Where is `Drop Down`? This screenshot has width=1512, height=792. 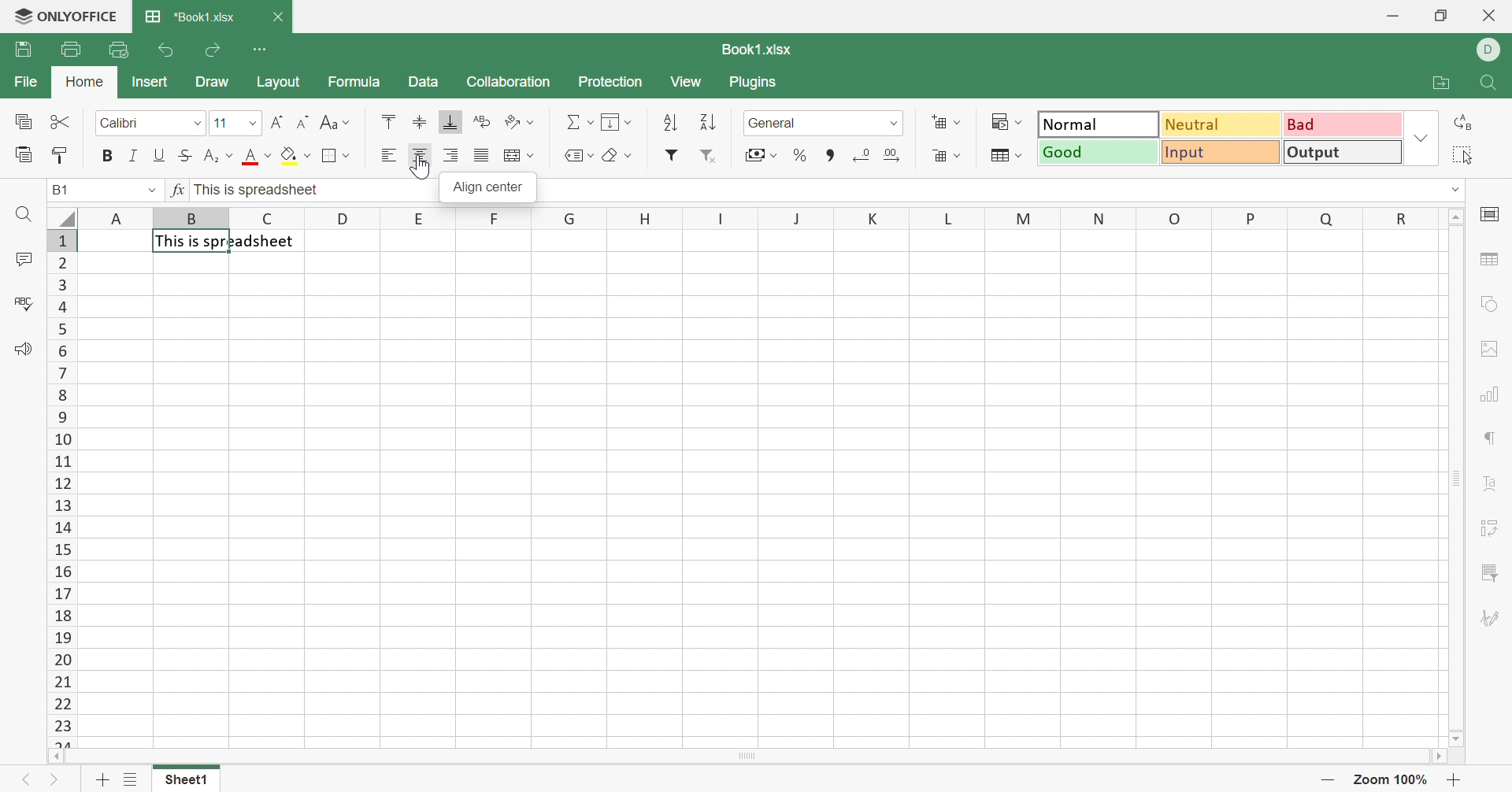 Drop Down is located at coordinates (1451, 190).